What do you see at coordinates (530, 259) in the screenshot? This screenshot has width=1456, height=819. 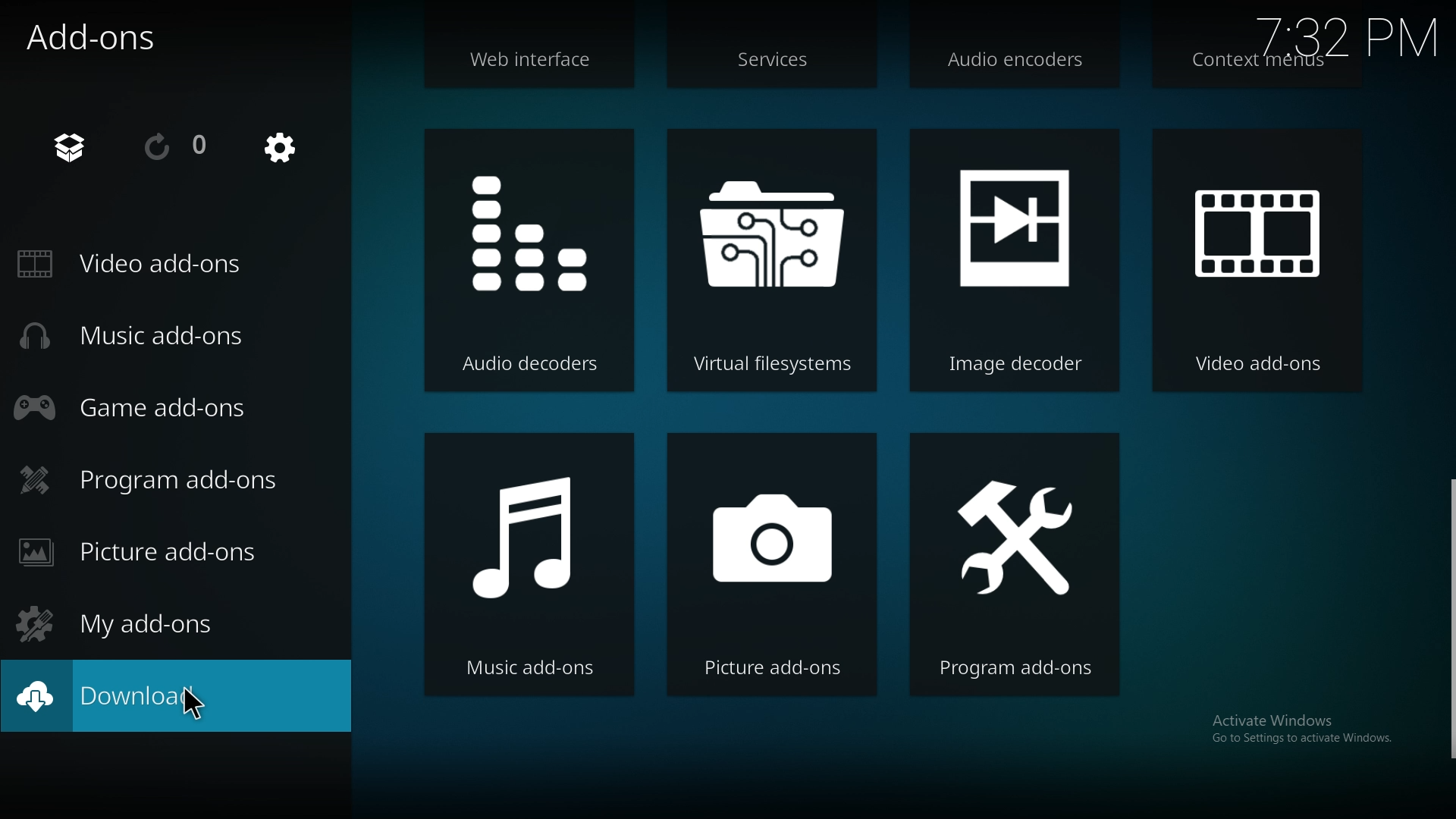 I see `audio decoders` at bounding box center [530, 259].